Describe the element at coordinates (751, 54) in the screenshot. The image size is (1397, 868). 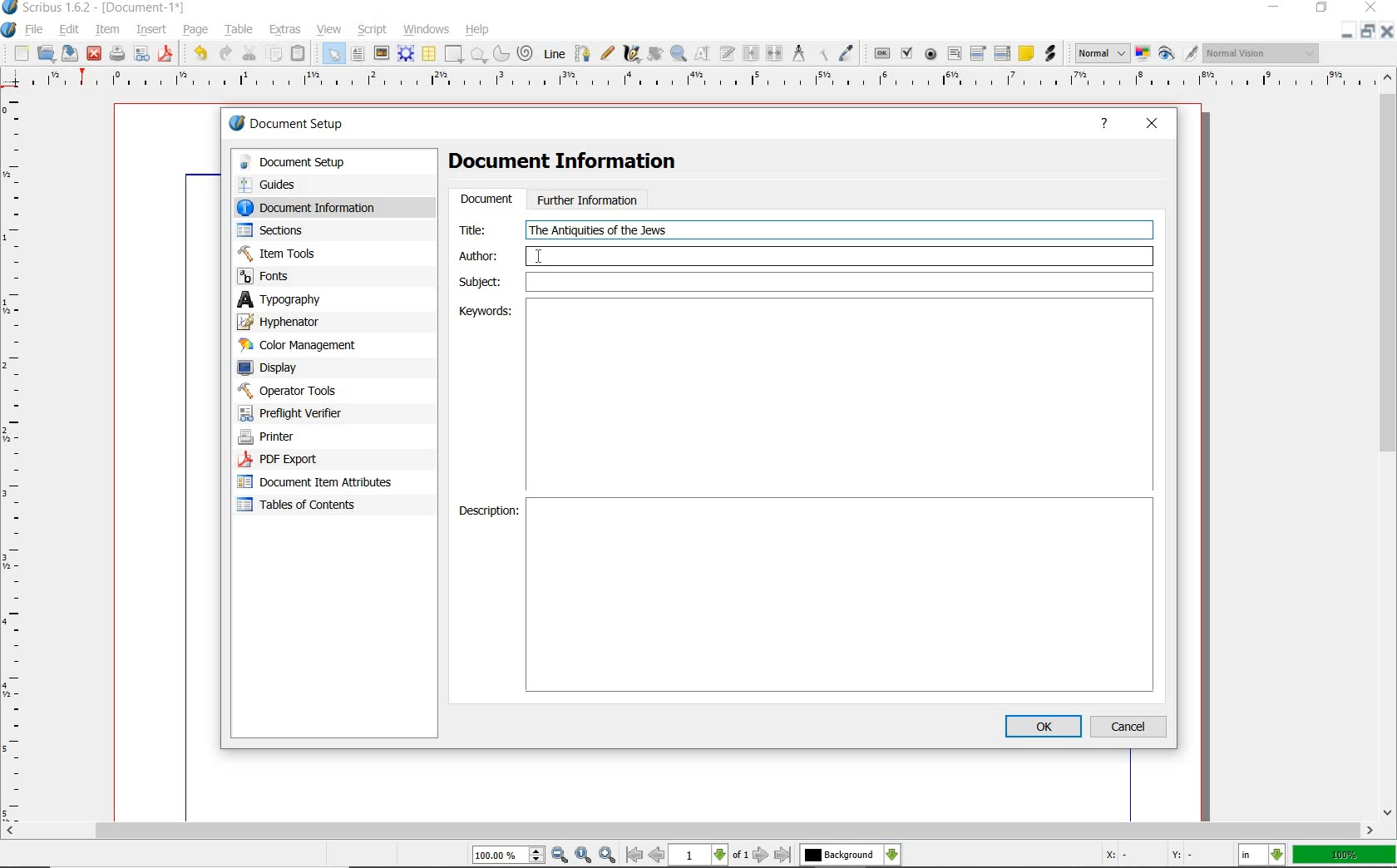
I see `link text frames` at that location.